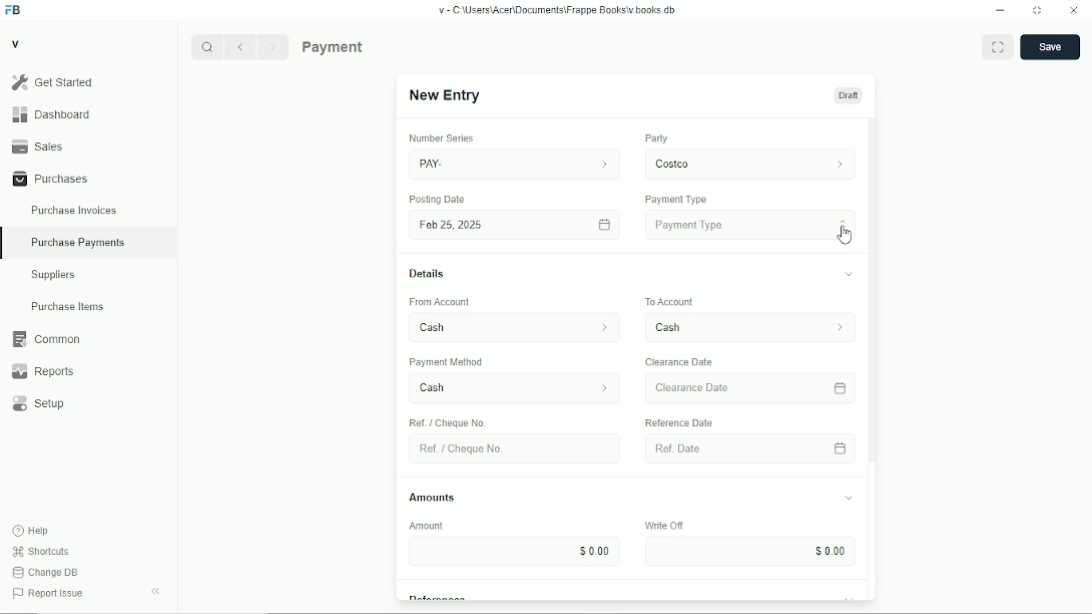 The image size is (1092, 614). Describe the element at coordinates (871, 293) in the screenshot. I see `vertical scrollbar` at that location.